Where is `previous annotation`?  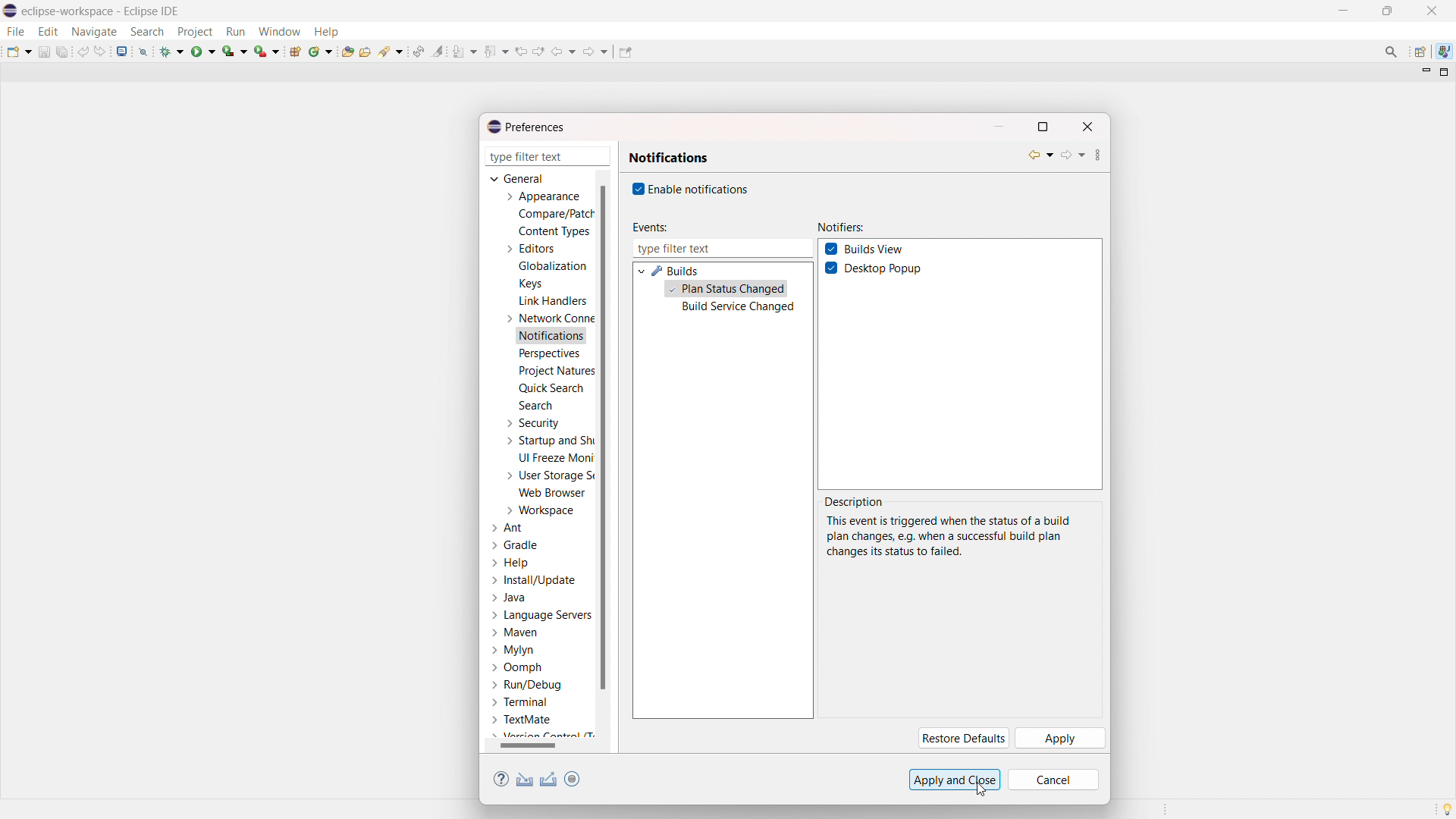
previous annotation is located at coordinates (496, 51).